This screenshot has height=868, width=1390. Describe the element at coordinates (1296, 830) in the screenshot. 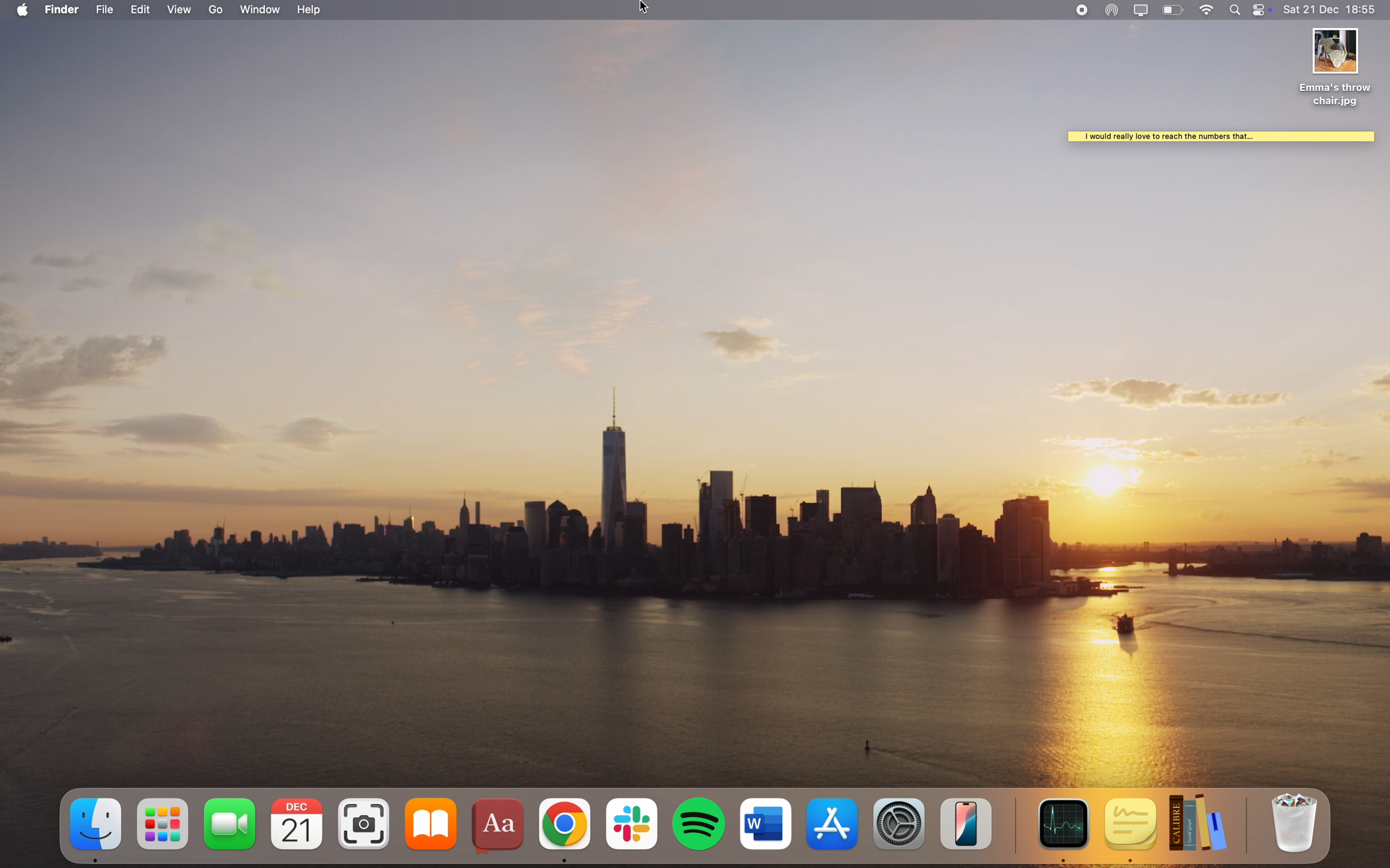

I see `trash` at that location.